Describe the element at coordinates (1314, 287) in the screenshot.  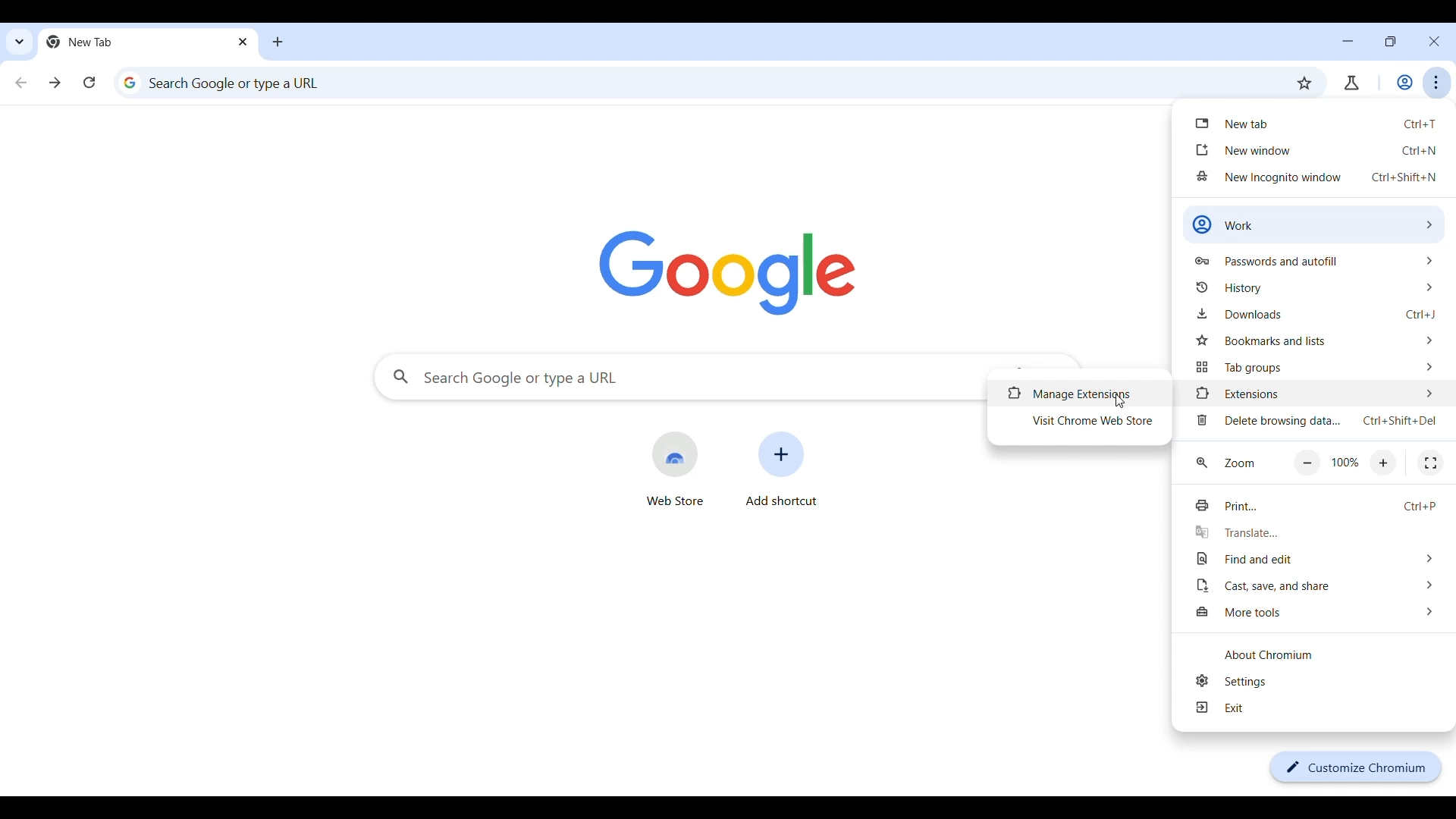
I see `History options` at that location.